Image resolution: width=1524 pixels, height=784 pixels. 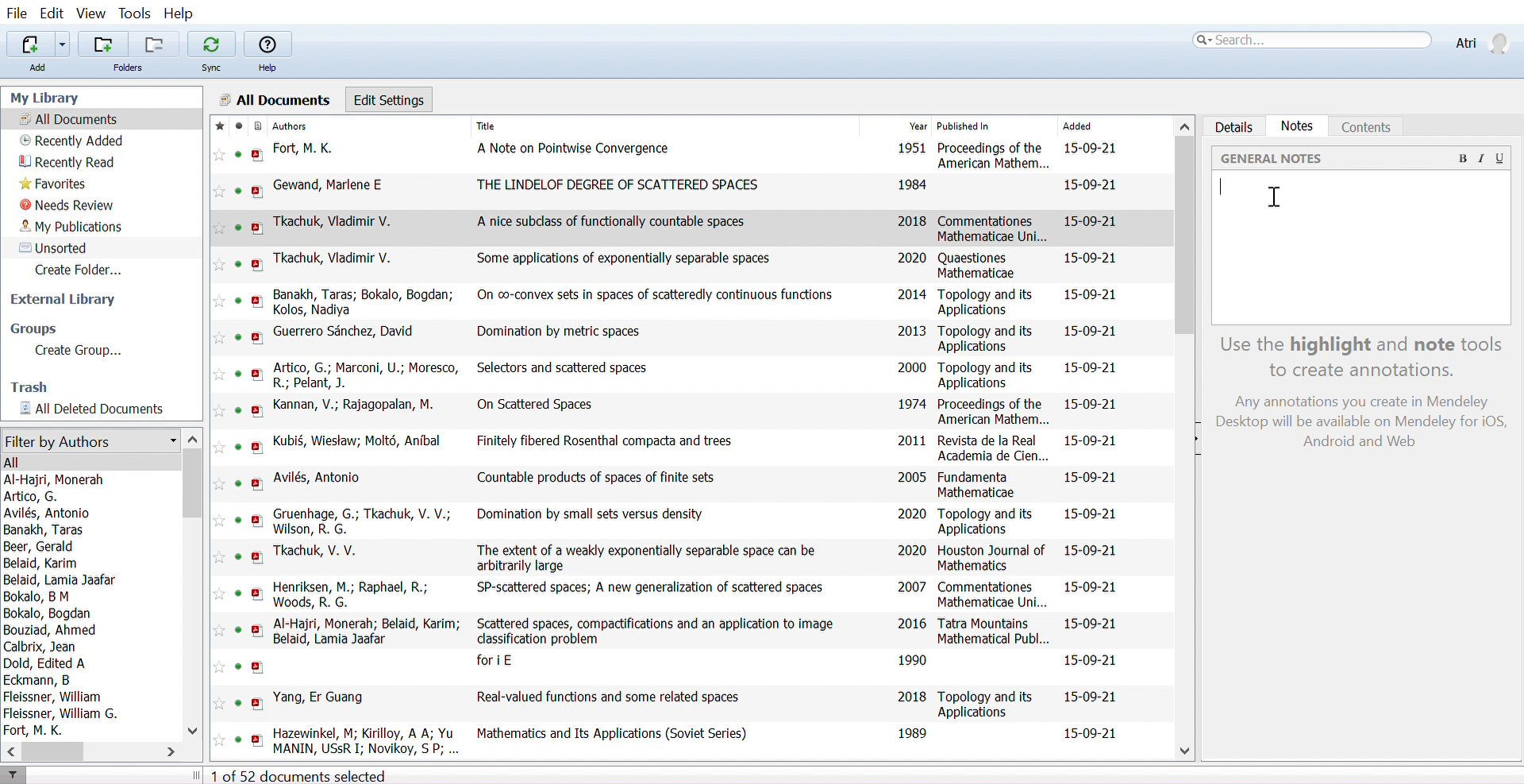 I want to click on 2016, so click(x=912, y=624).